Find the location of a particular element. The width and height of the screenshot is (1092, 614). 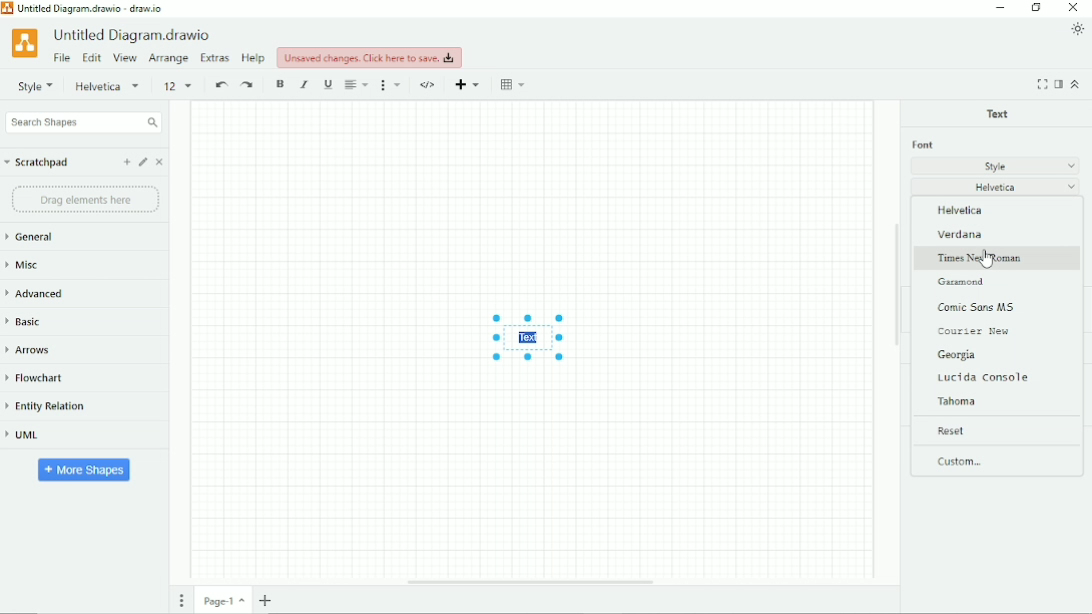

Edit is located at coordinates (143, 162).